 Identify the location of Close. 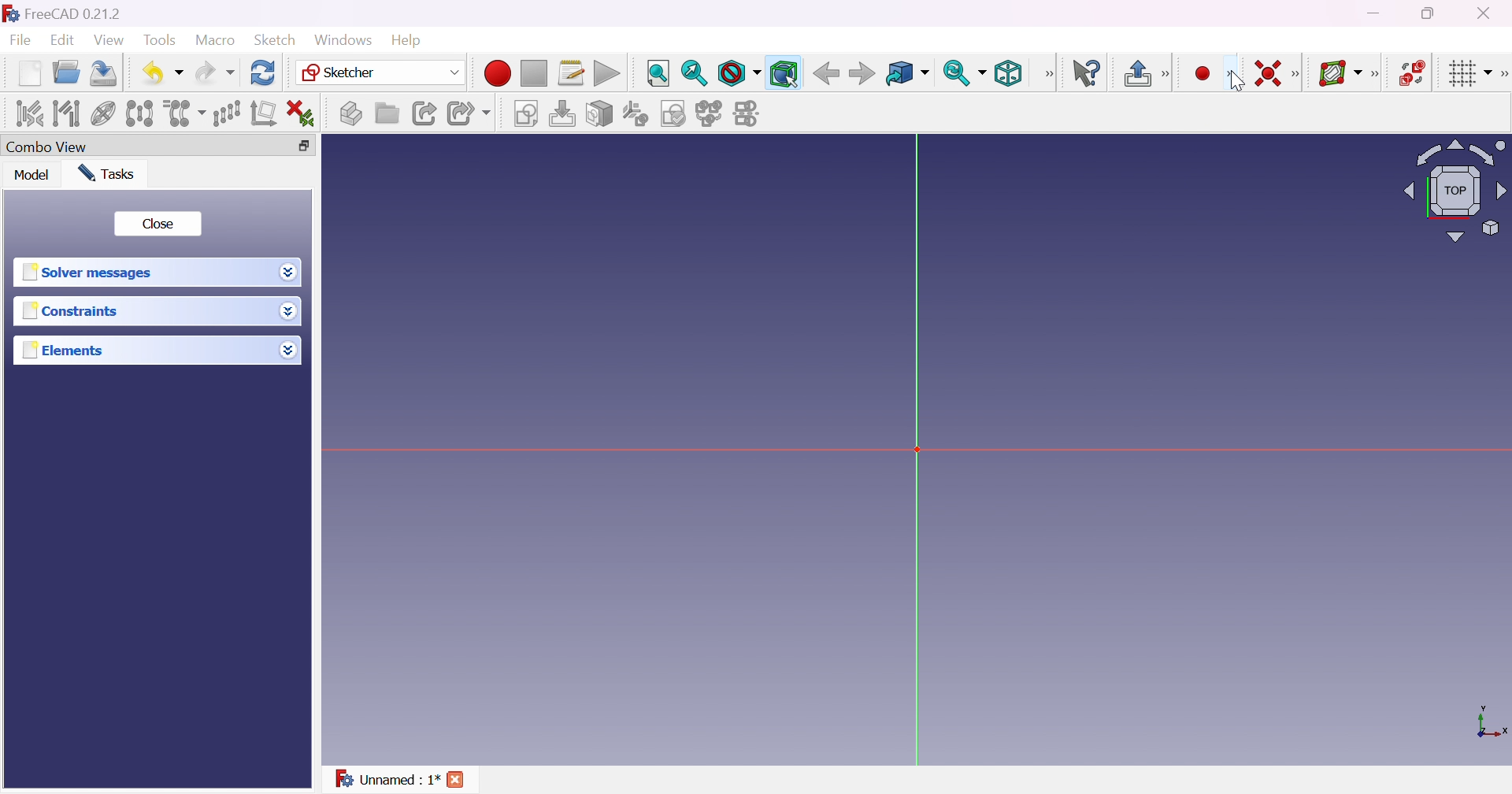
(1486, 14).